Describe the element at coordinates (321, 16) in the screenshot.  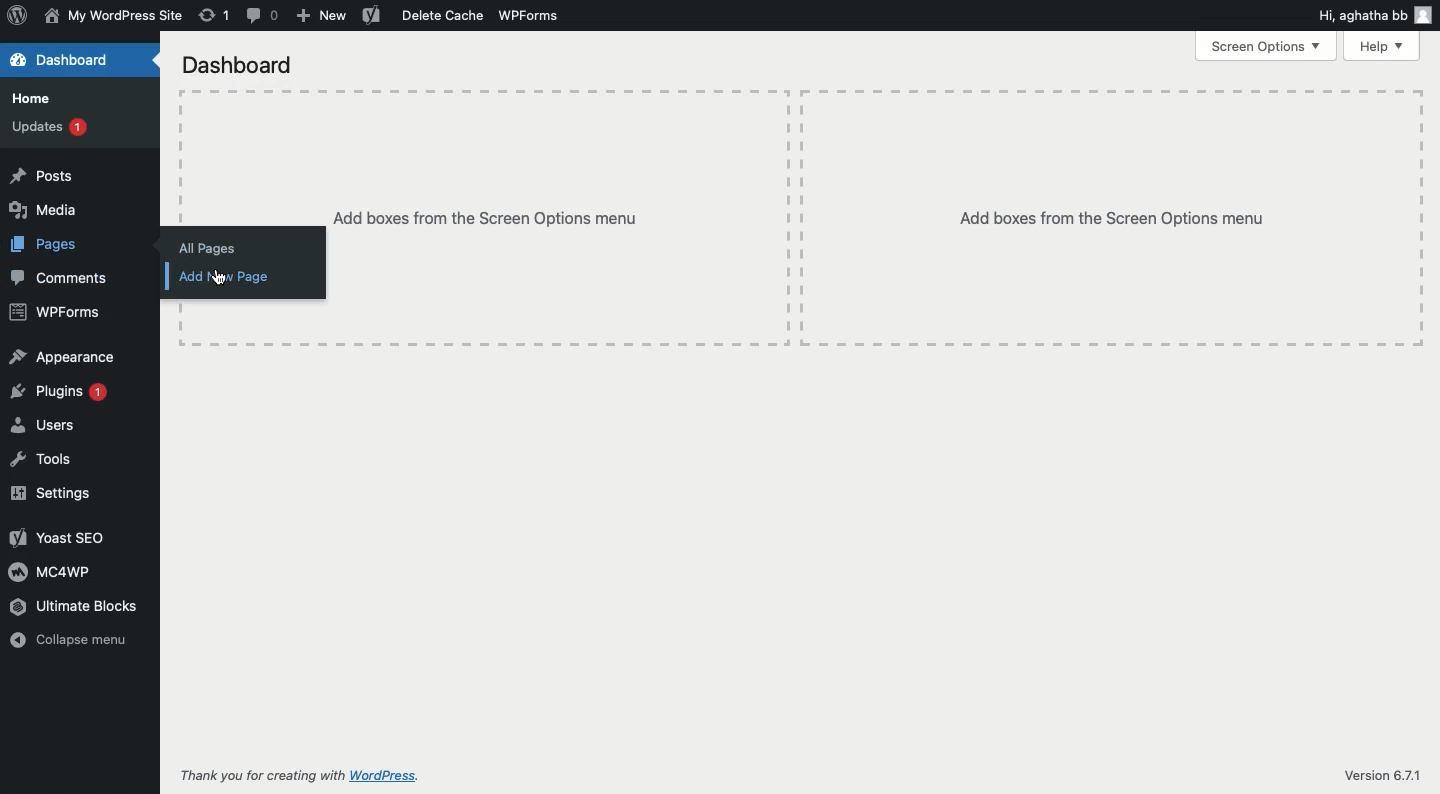
I see `New` at that location.